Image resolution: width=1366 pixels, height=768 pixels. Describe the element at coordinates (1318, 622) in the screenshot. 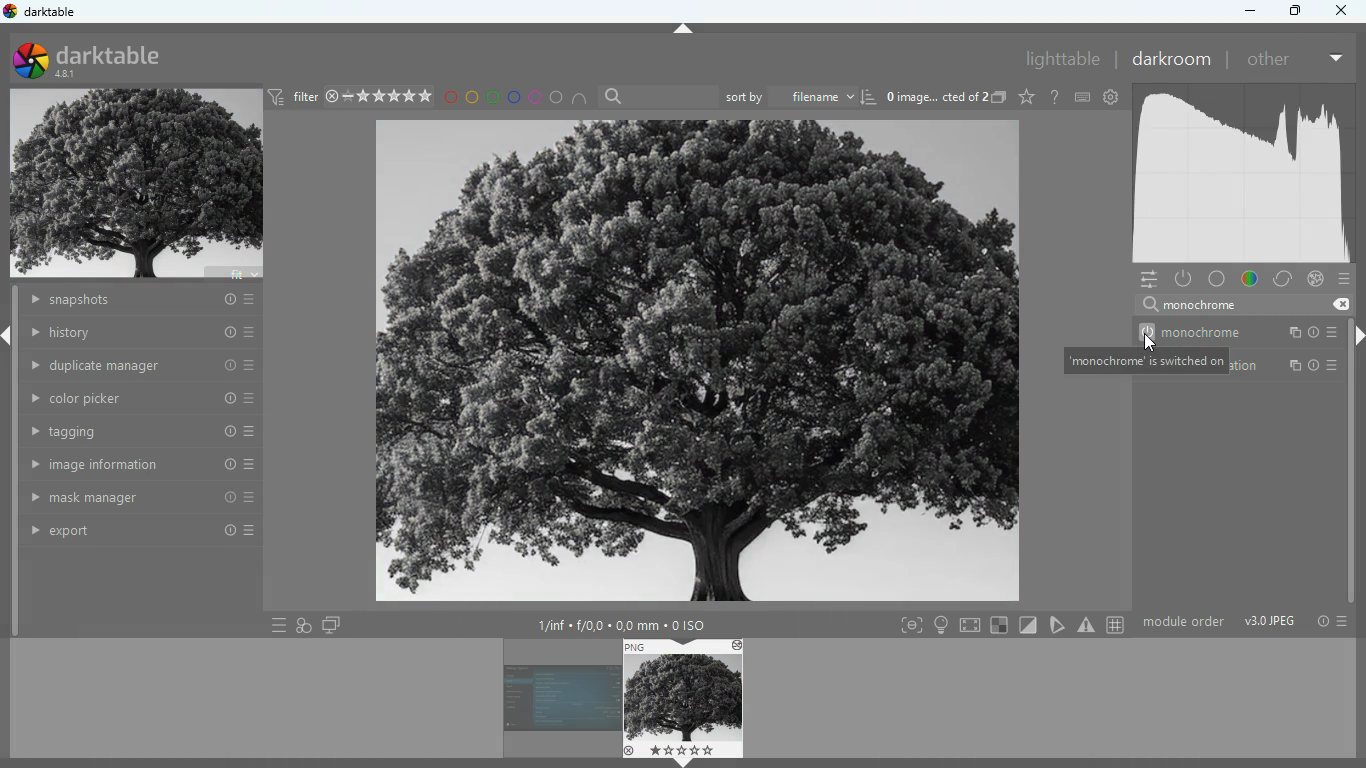

I see `info` at that location.